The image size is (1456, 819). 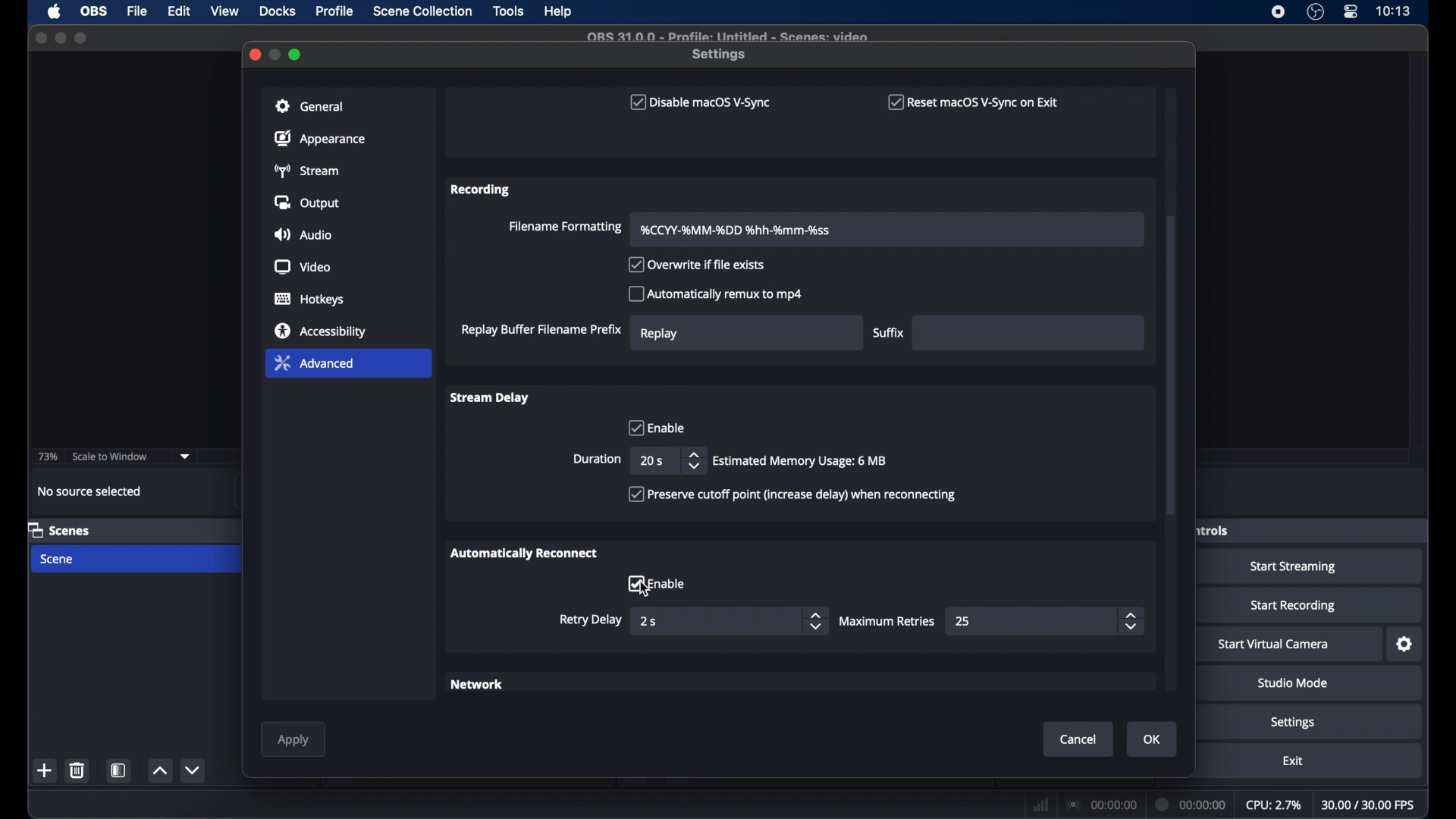 What do you see at coordinates (597, 460) in the screenshot?
I see `duration` at bounding box center [597, 460].